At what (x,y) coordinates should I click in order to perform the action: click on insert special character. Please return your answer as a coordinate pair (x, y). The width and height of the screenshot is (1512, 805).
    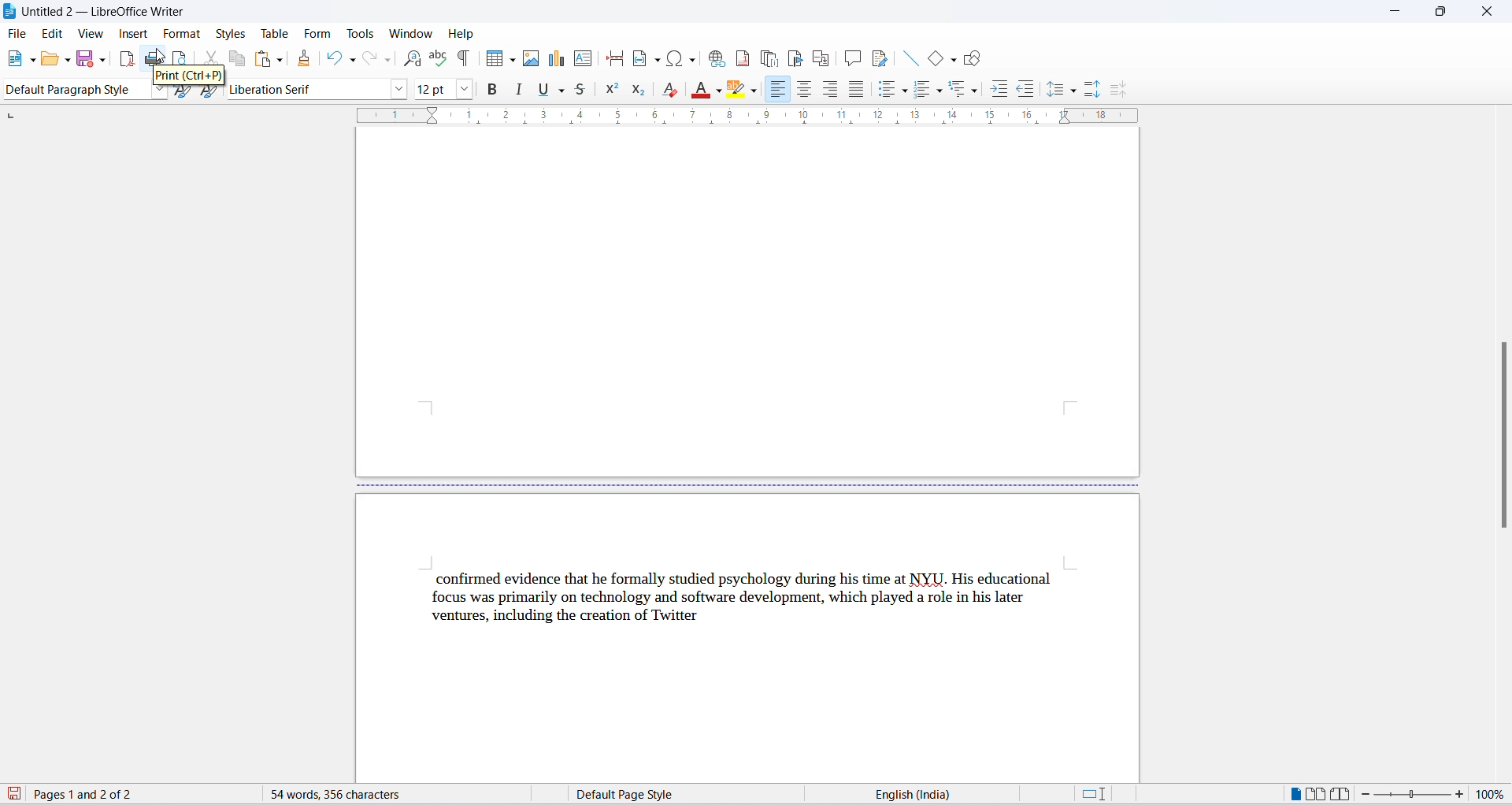
    Looking at the image, I should click on (671, 58).